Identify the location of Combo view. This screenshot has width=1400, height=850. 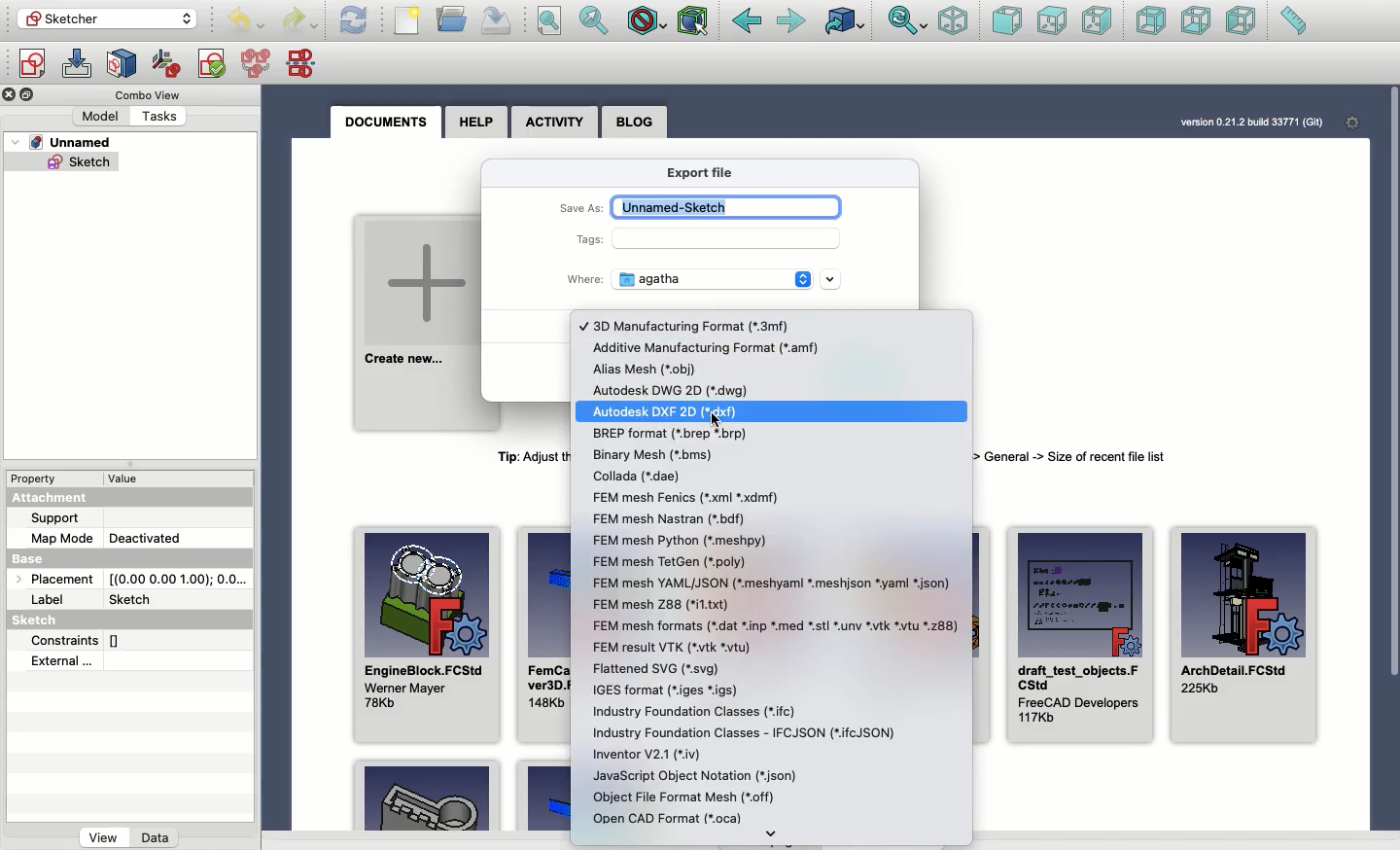
(145, 94).